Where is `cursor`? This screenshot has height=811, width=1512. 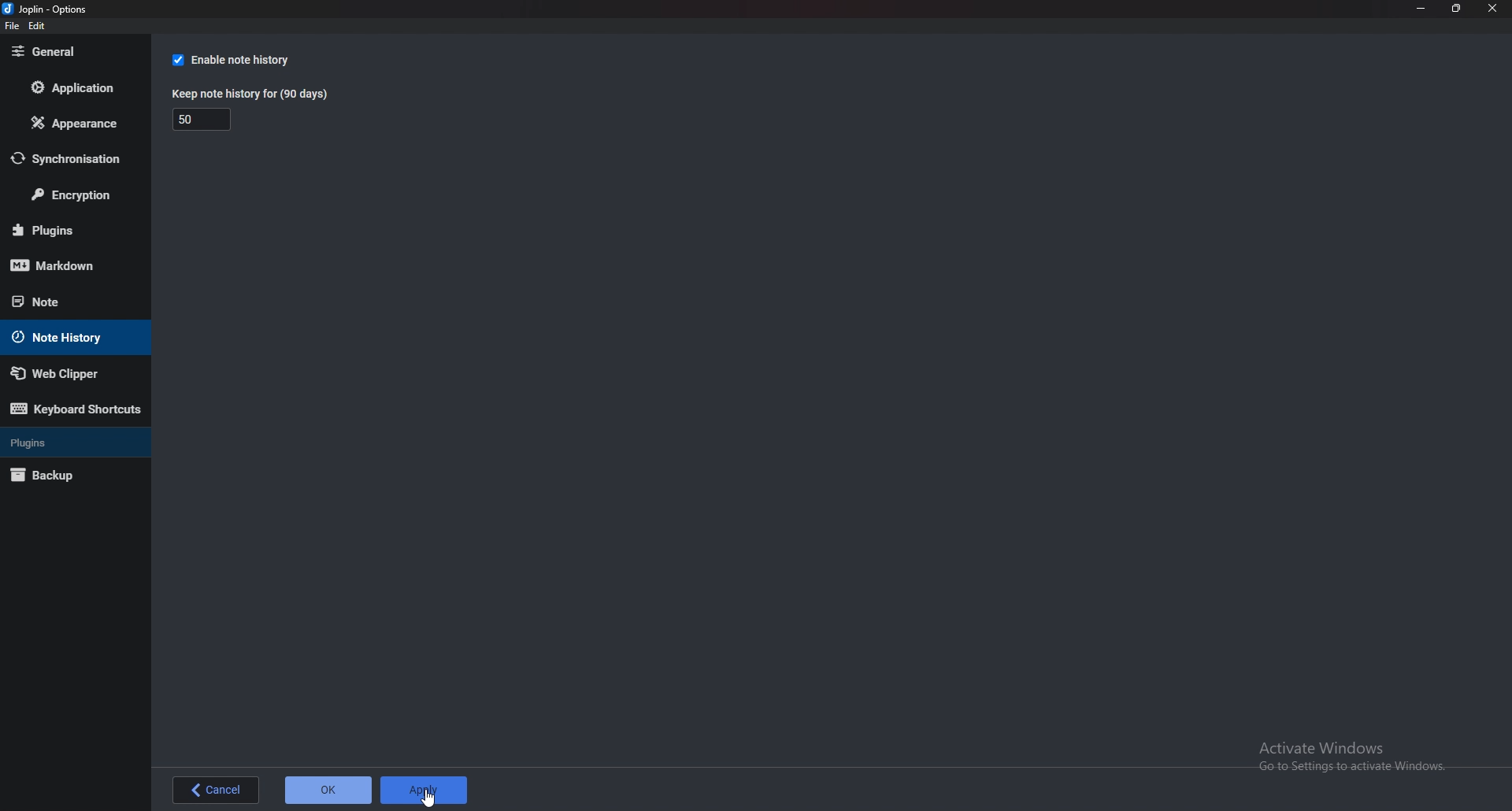
cursor is located at coordinates (432, 797).